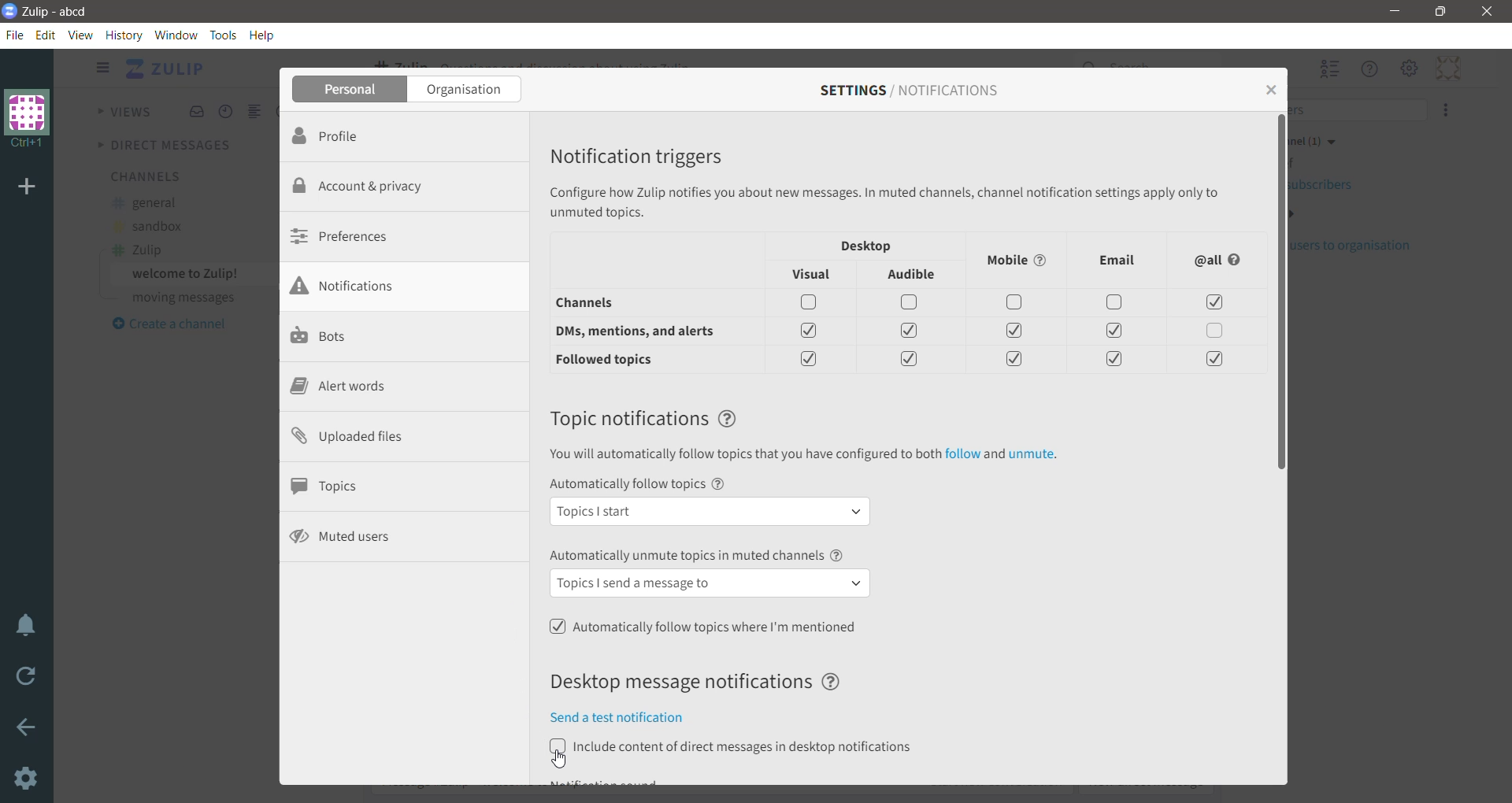 This screenshot has width=1512, height=803. I want to click on audible, so click(914, 276).